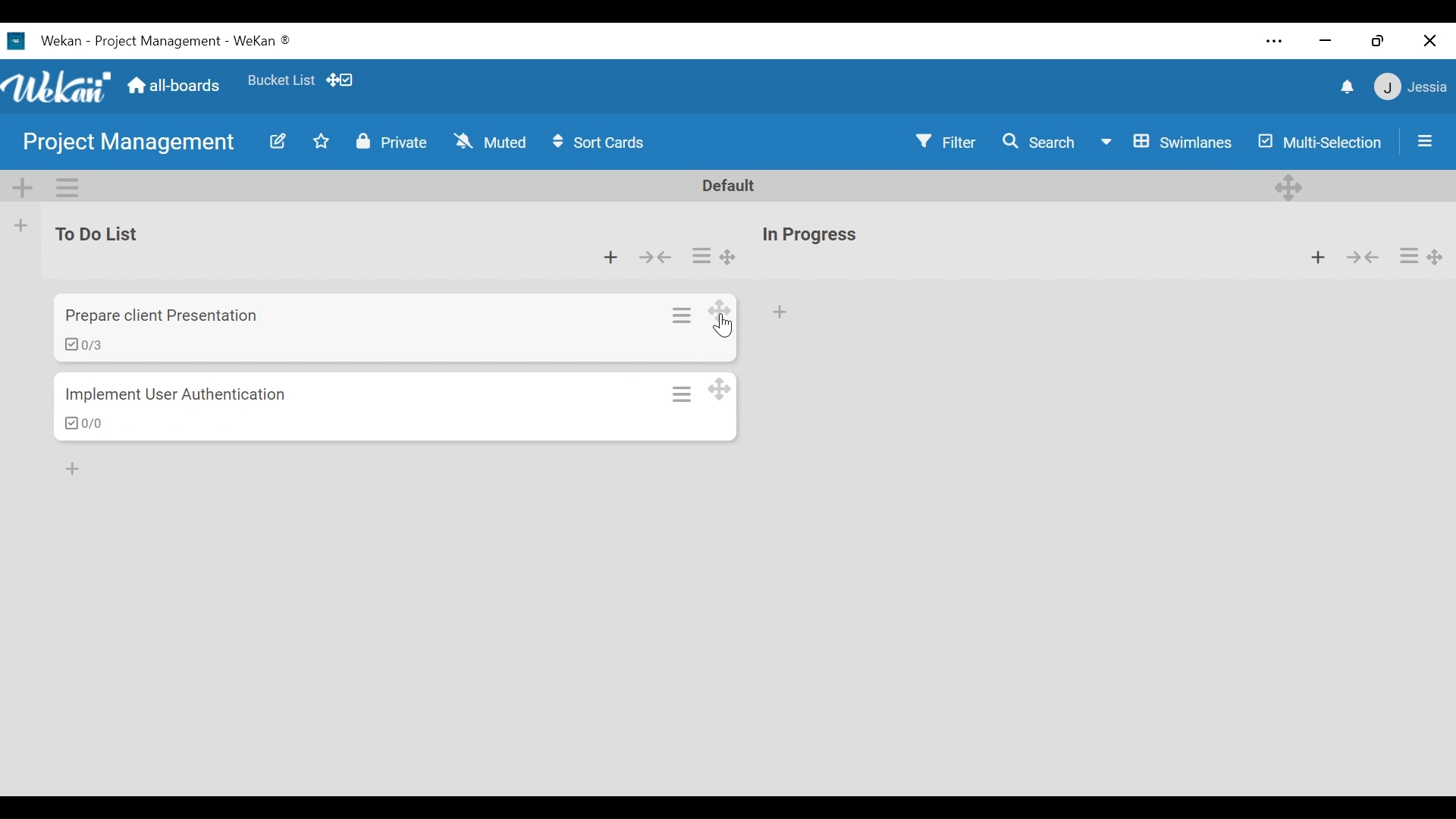 This screenshot has width=1456, height=819. I want to click on Desktop drag handles, so click(727, 257).